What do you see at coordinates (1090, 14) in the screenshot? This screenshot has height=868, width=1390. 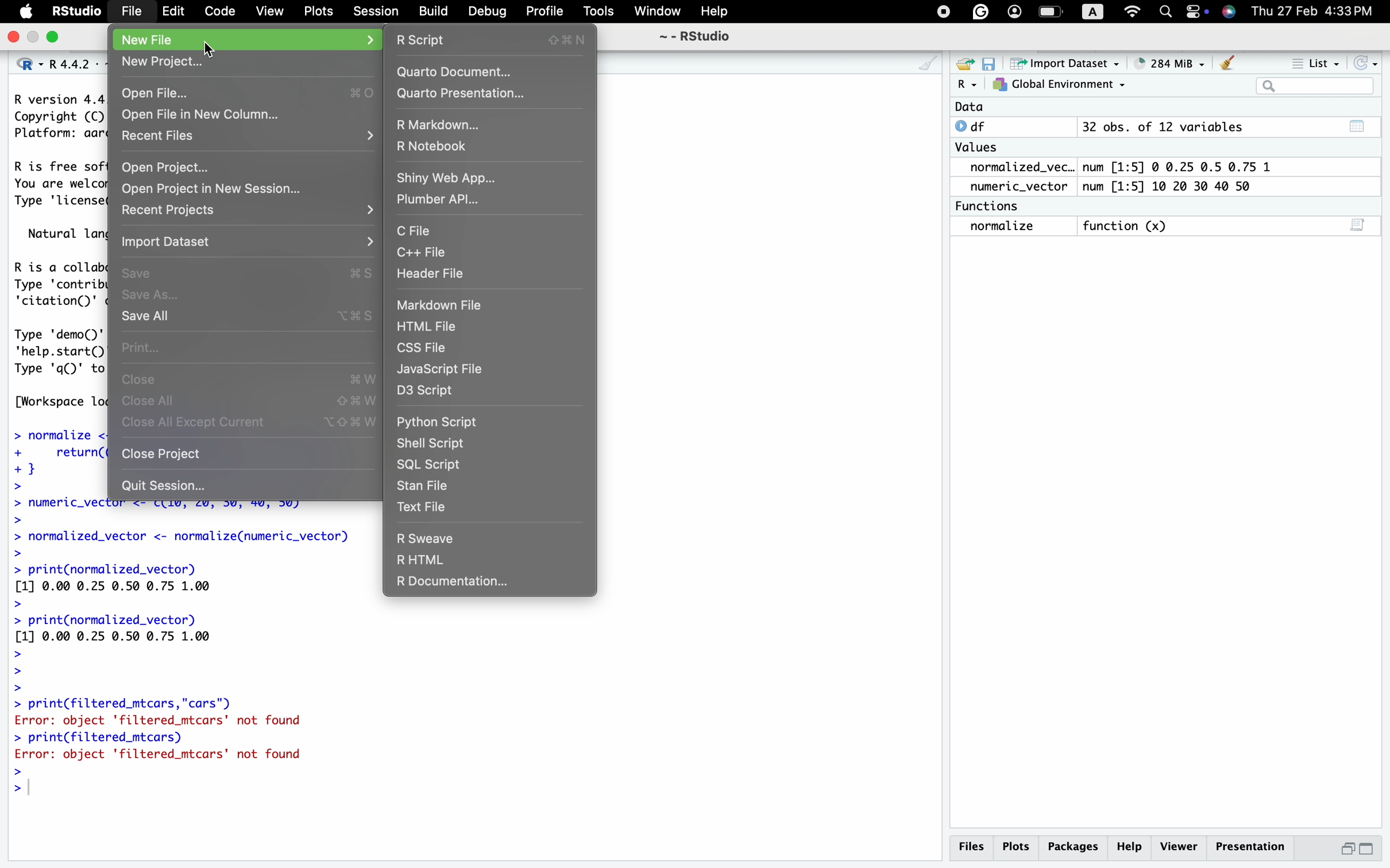 I see `letter` at bounding box center [1090, 14].